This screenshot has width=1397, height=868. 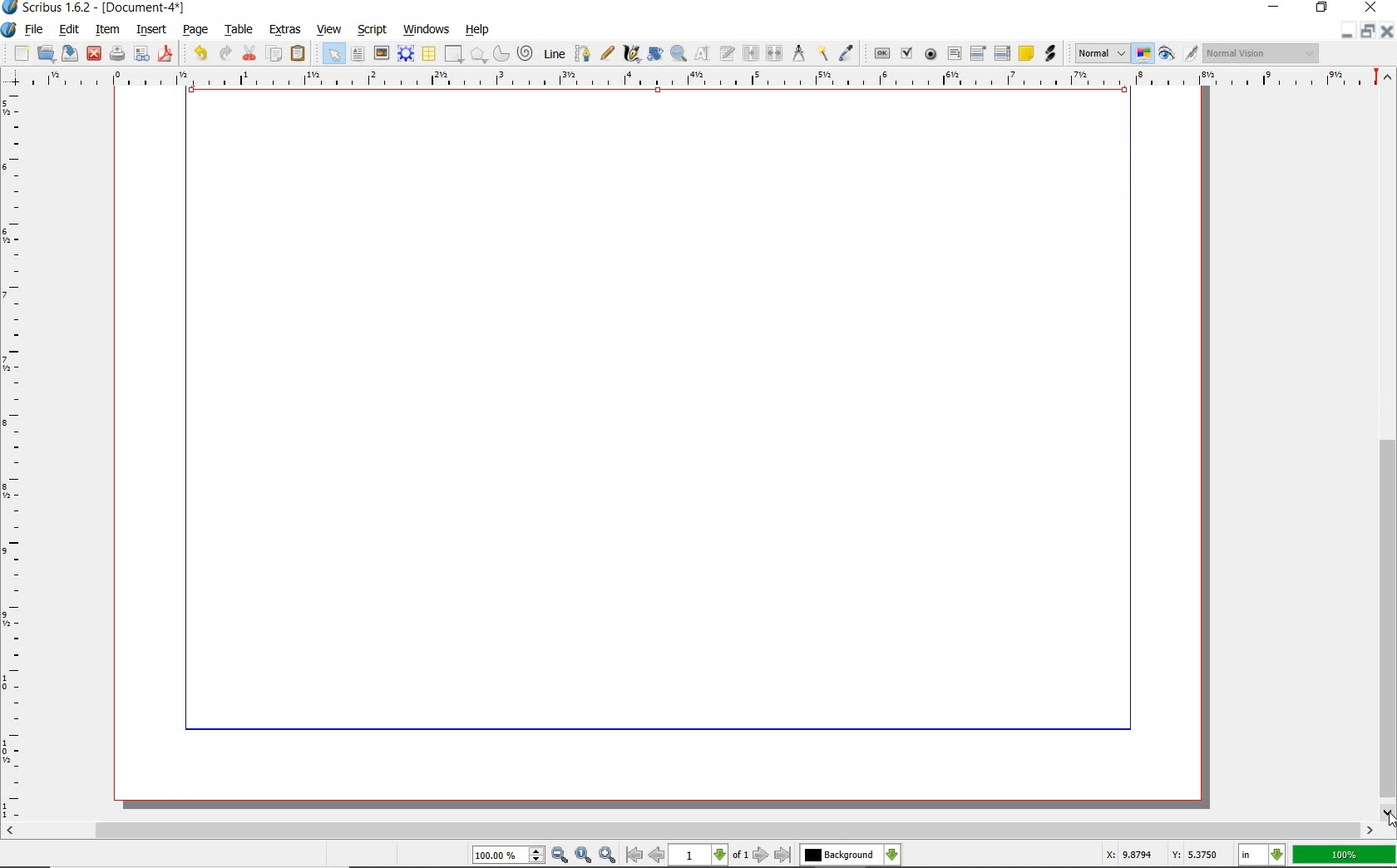 What do you see at coordinates (1370, 8) in the screenshot?
I see `close` at bounding box center [1370, 8].